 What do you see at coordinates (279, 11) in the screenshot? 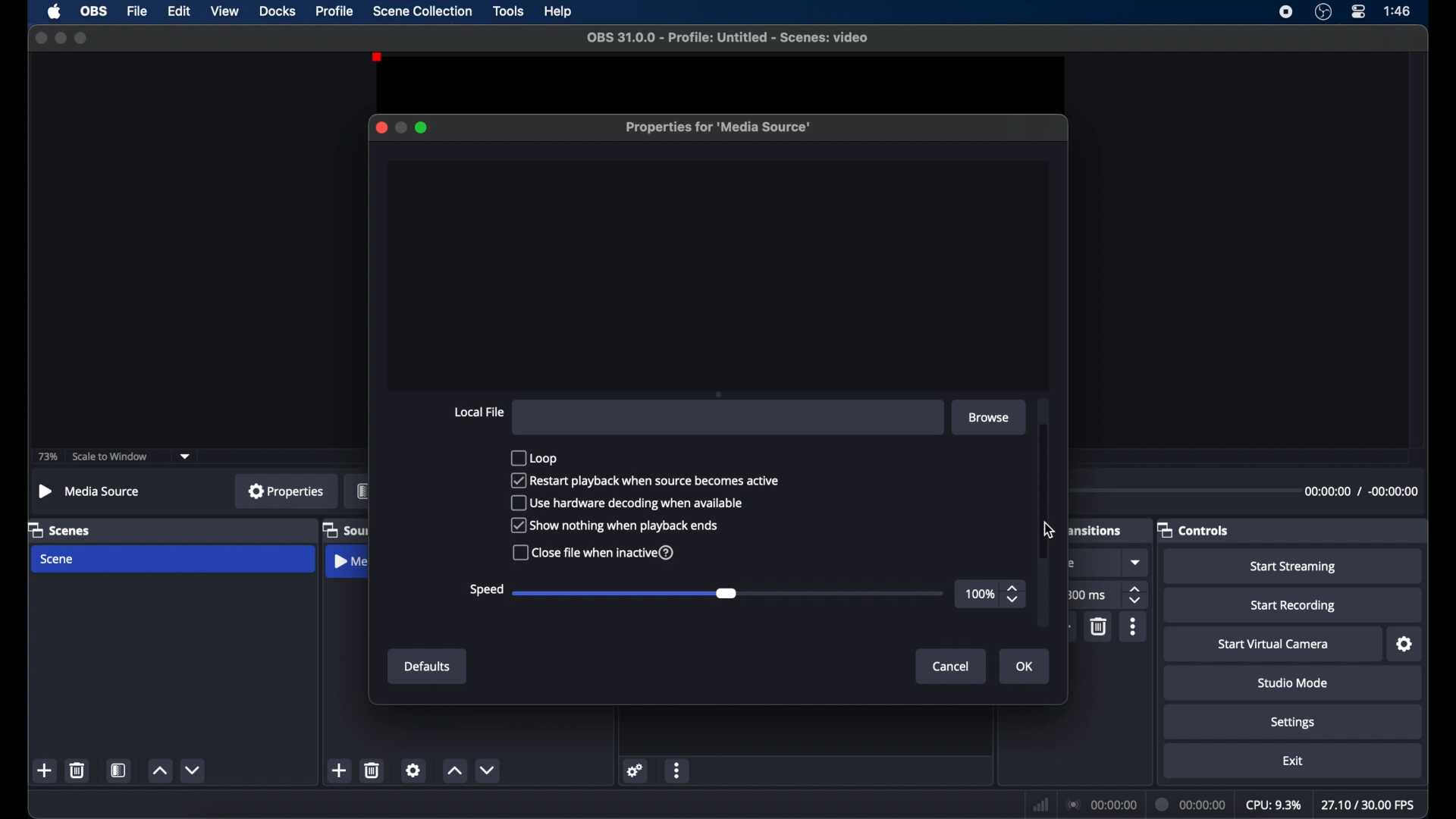
I see `docks` at bounding box center [279, 11].